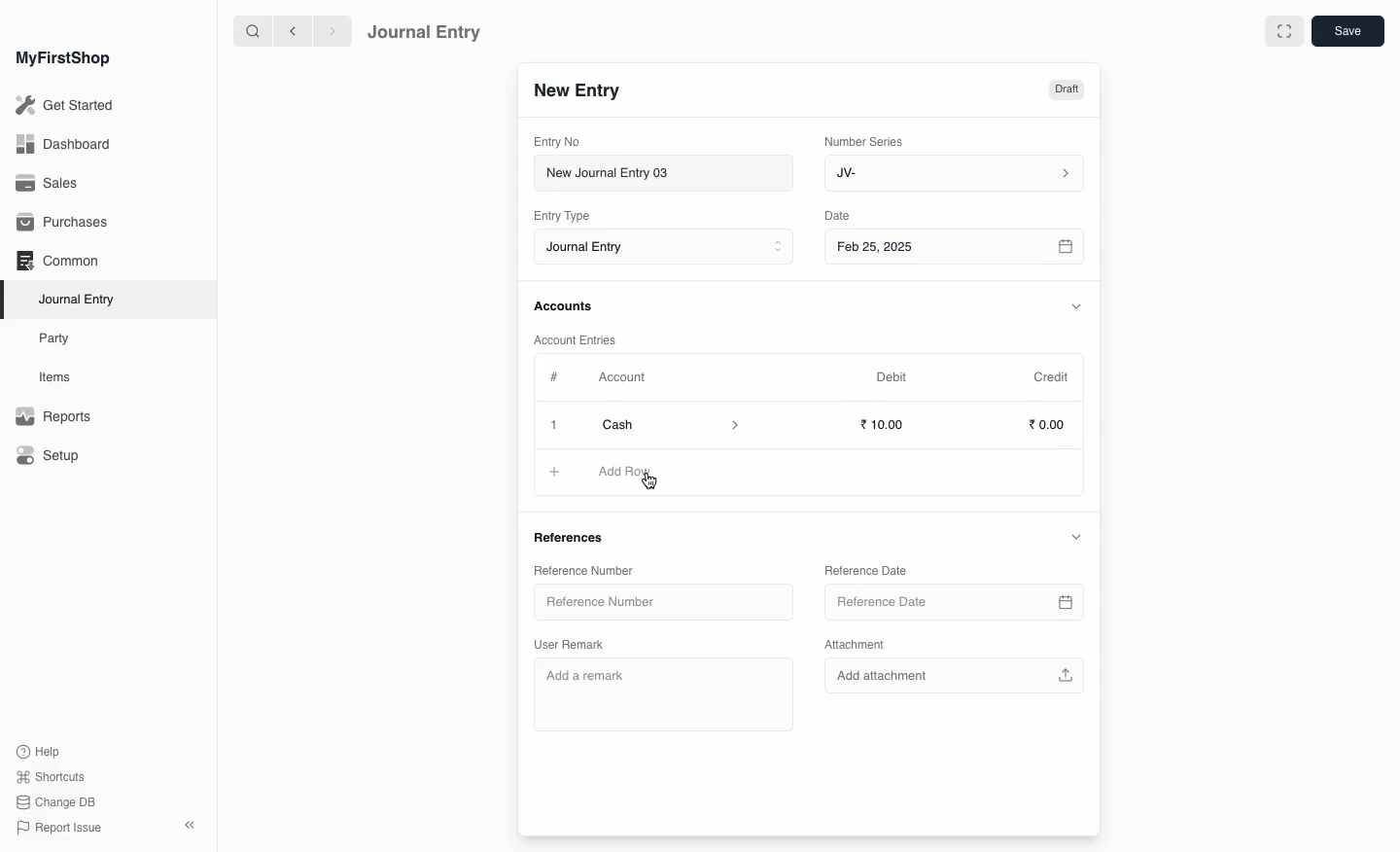 The width and height of the screenshot is (1400, 852). I want to click on Get Started, so click(66, 106).